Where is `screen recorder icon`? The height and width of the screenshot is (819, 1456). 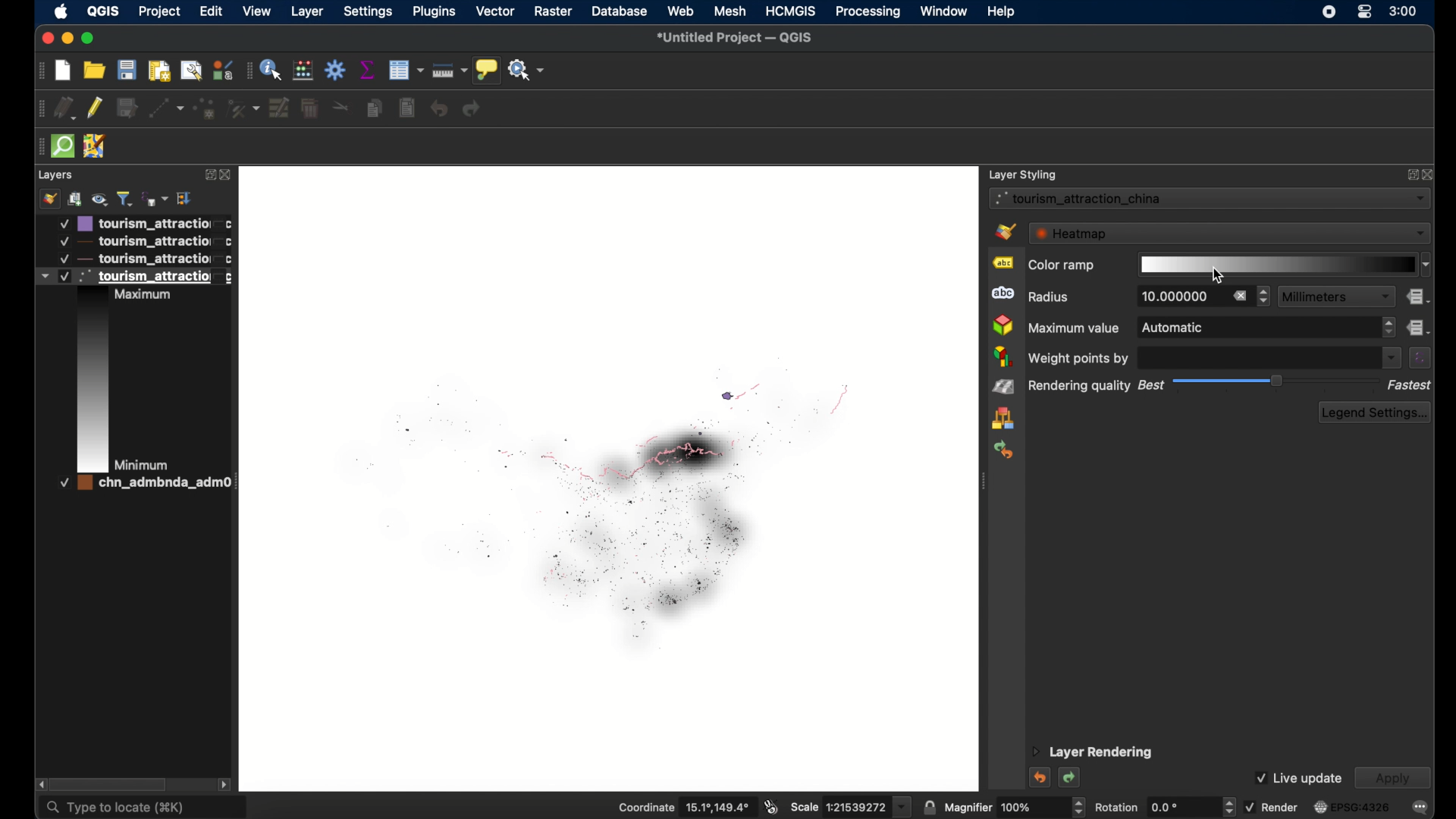 screen recorder icon is located at coordinates (1329, 14).